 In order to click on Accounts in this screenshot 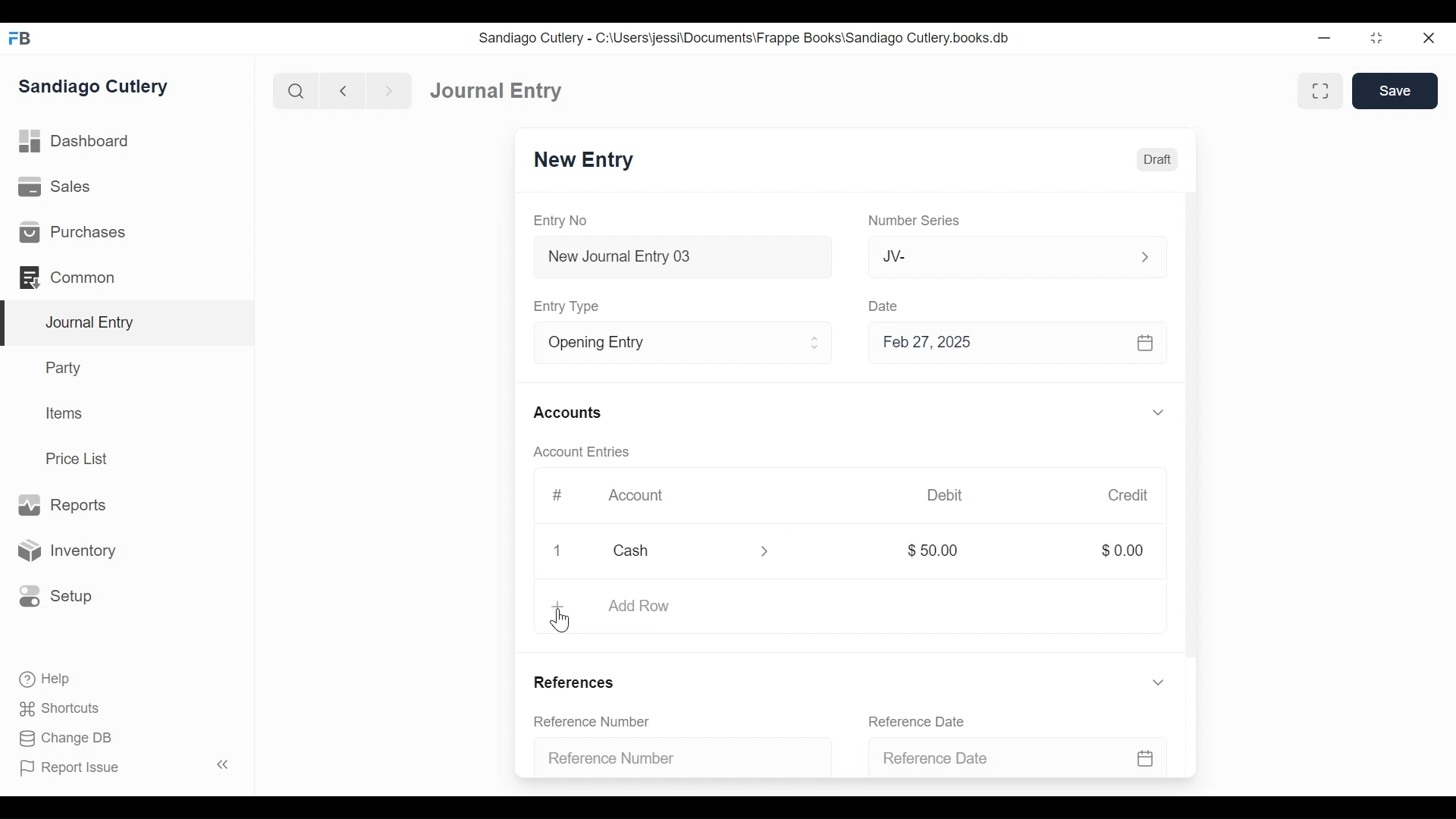, I will do `click(567, 413)`.